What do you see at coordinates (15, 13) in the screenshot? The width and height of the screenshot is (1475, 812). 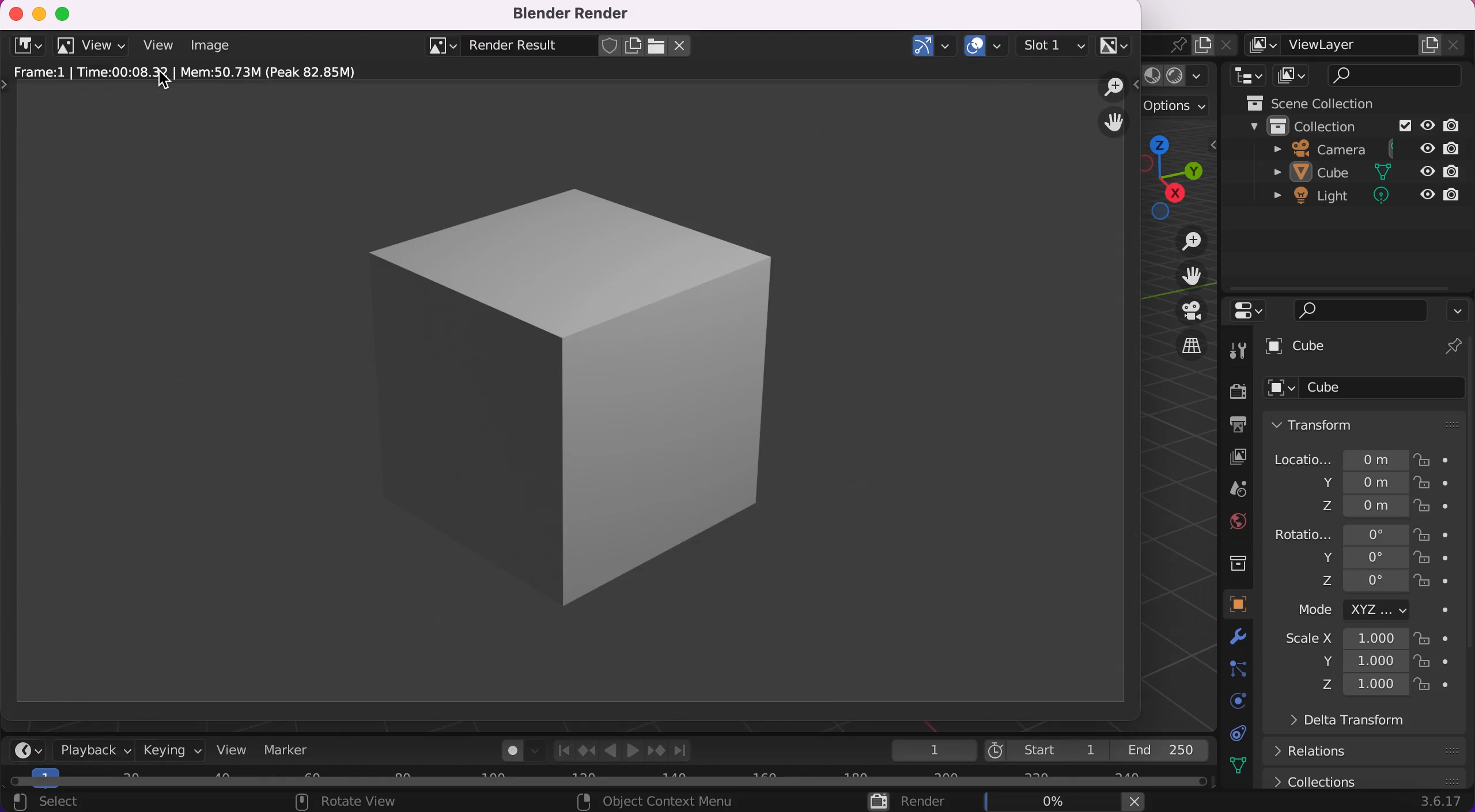 I see `close` at bounding box center [15, 13].